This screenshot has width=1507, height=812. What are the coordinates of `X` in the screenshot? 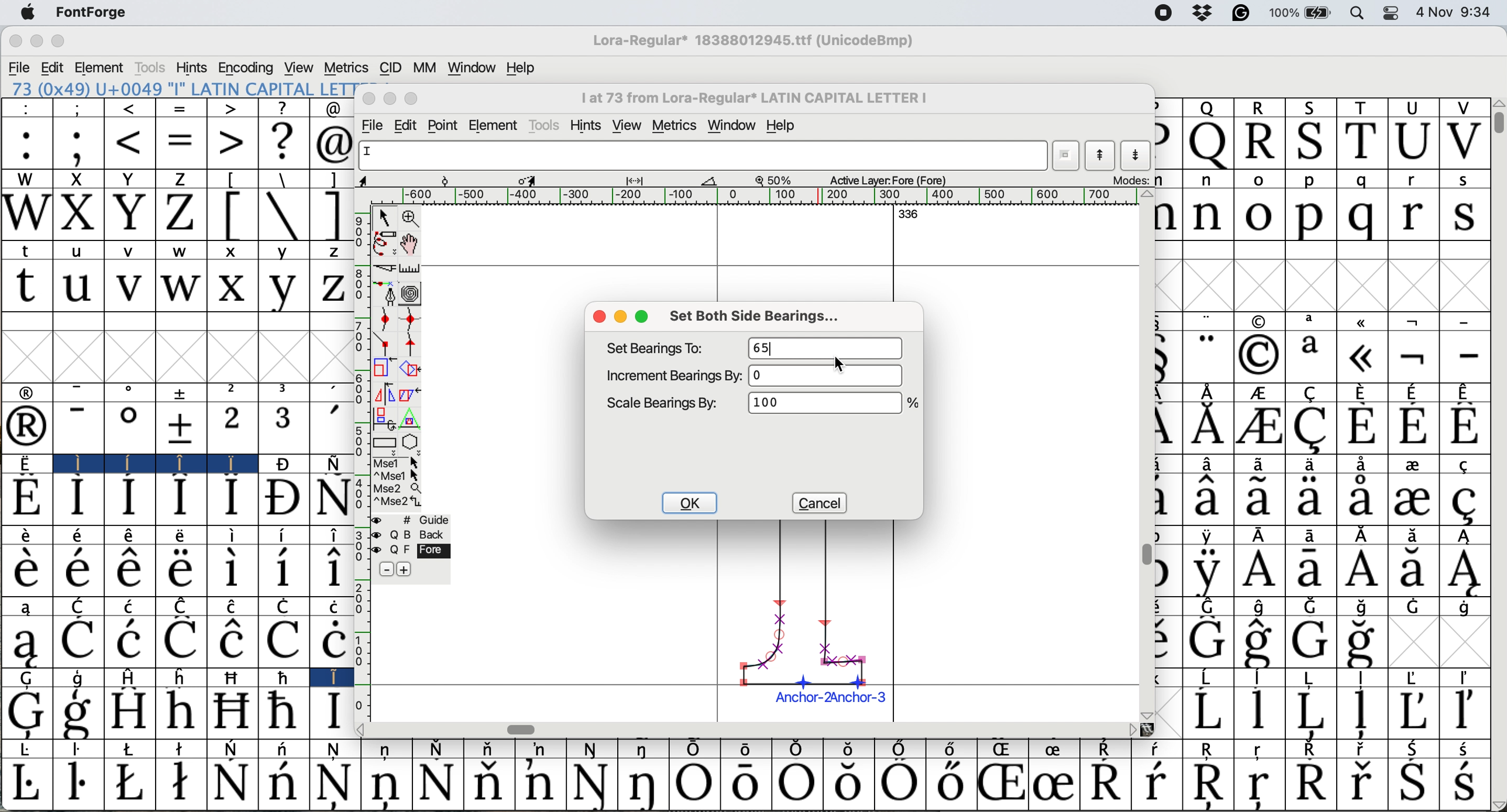 It's located at (78, 215).